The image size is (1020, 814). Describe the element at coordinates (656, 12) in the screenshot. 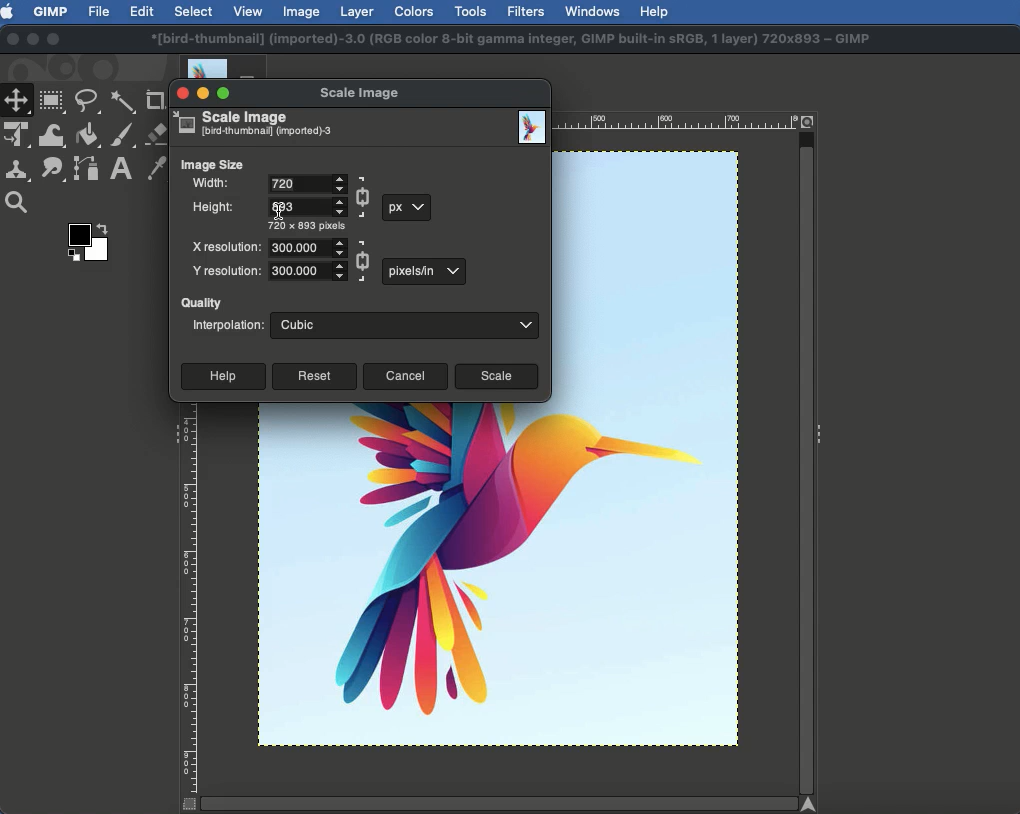

I see `Help` at that location.